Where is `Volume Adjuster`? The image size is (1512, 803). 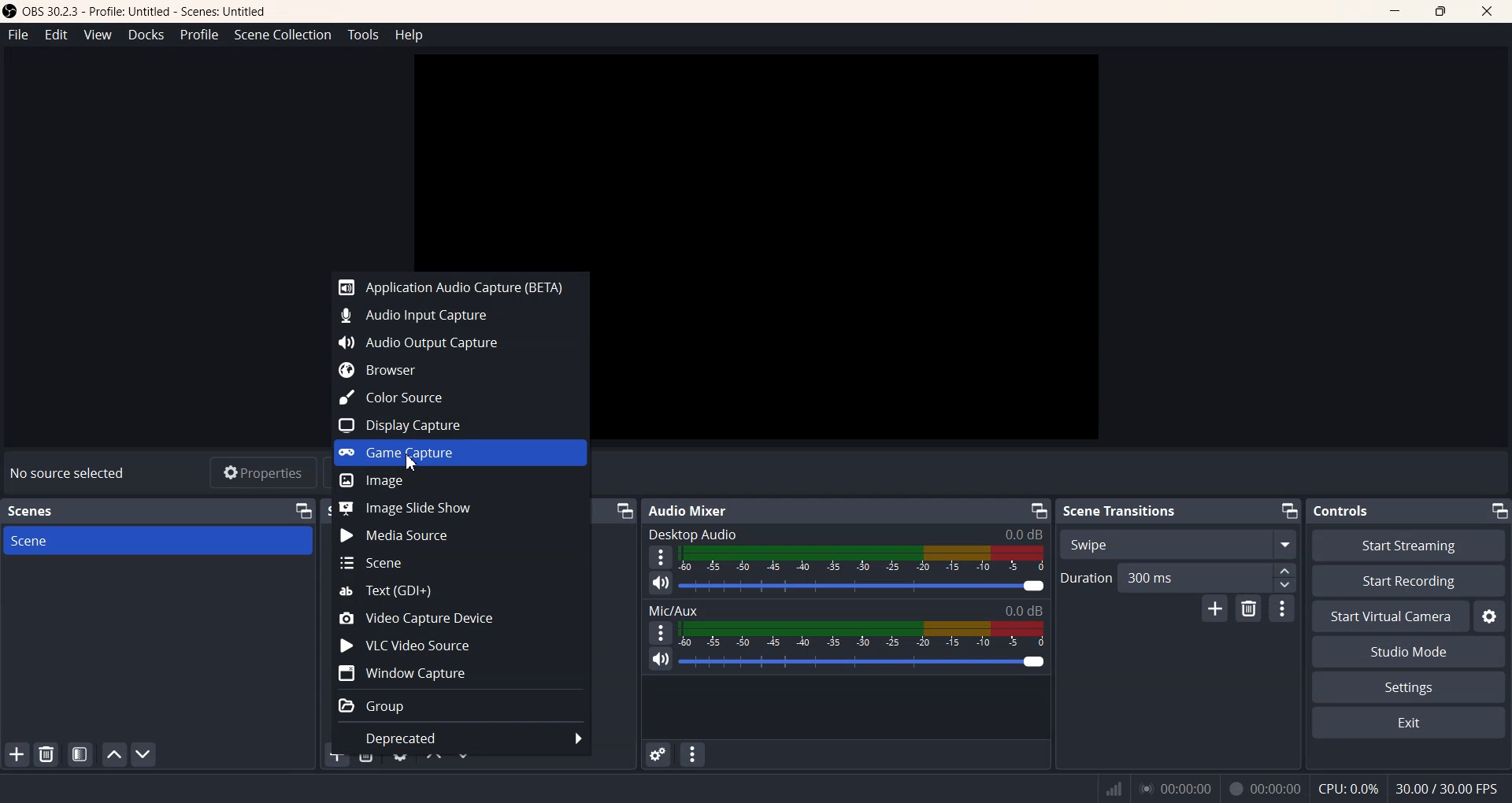 Volume Adjuster is located at coordinates (865, 587).